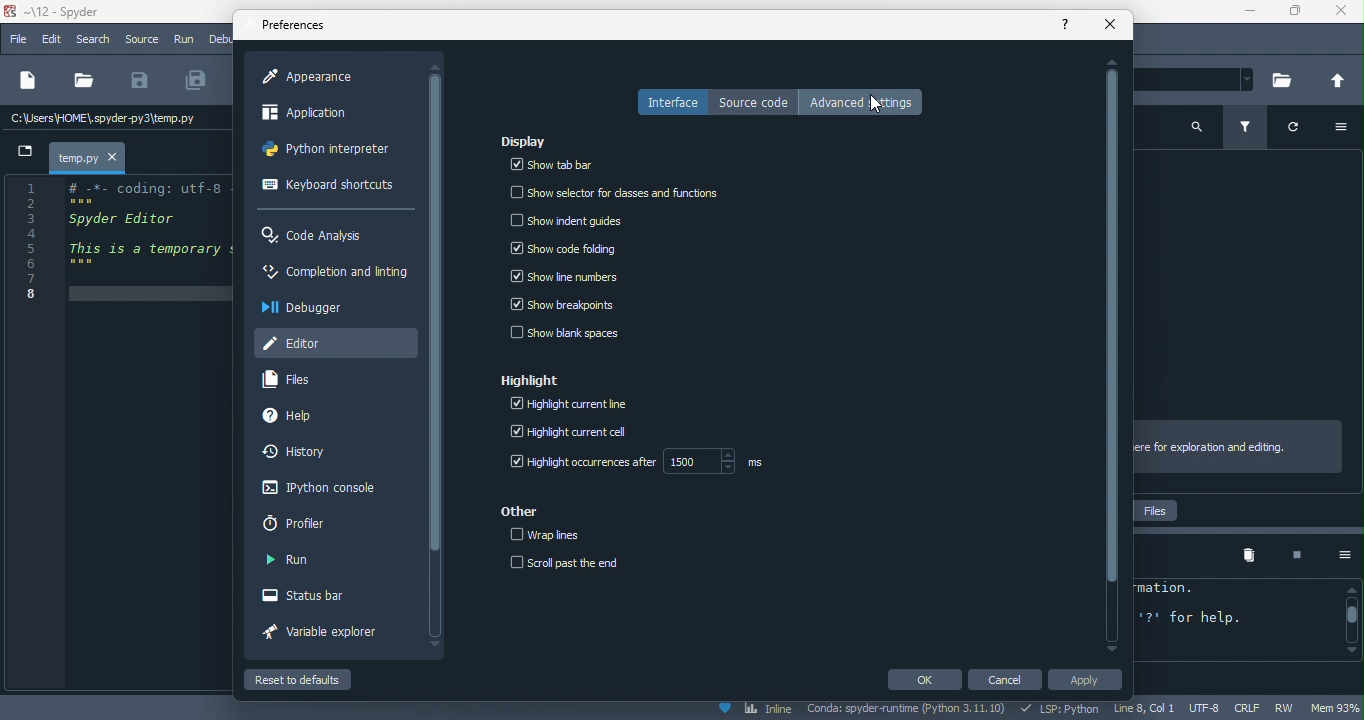 The height and width of the screenshot is (720, 1364). I want to click on save, so click(140, 81).